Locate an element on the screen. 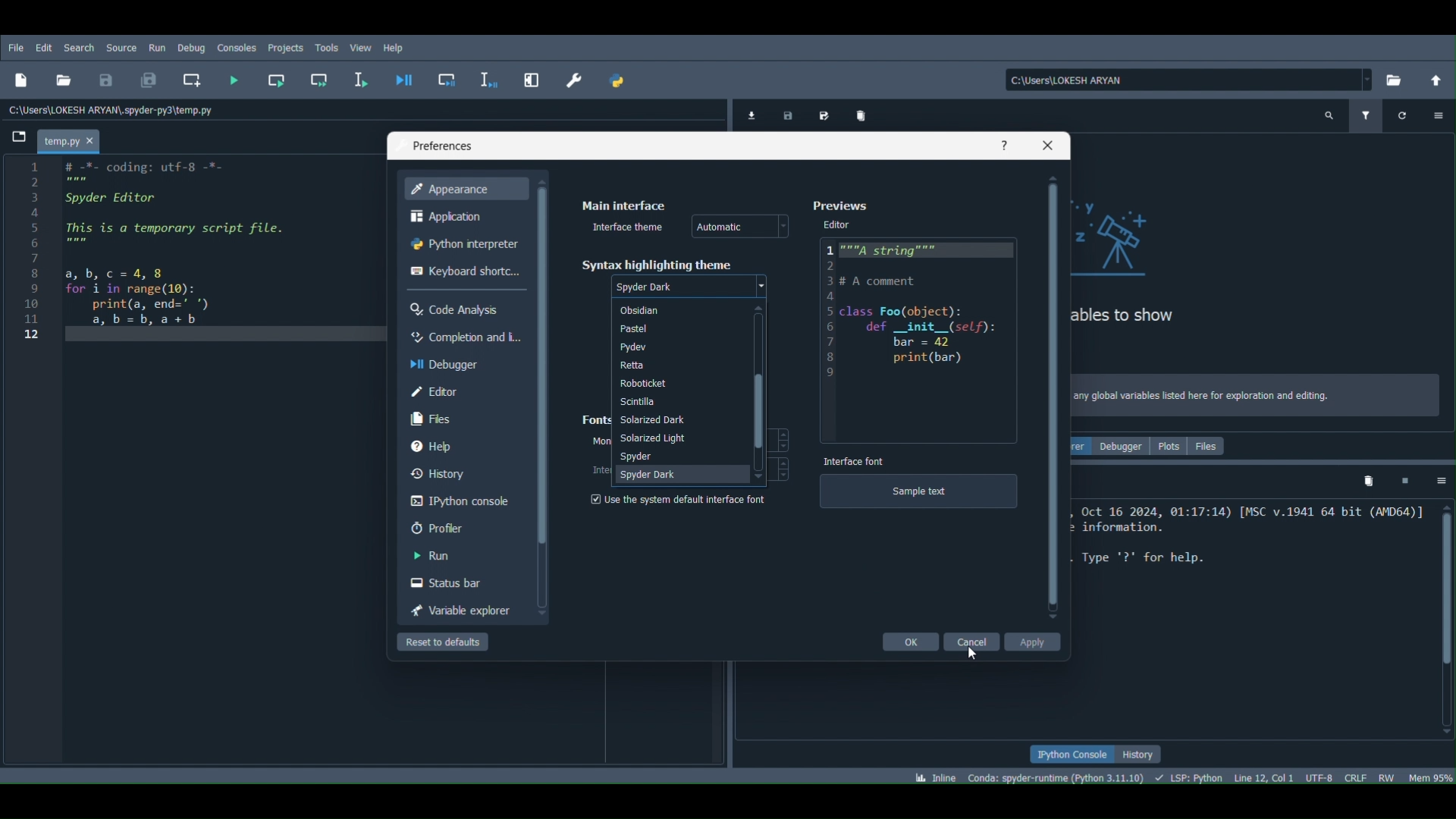 The image size is (1456, 819). Spyder is located at coordinates (679, 457).